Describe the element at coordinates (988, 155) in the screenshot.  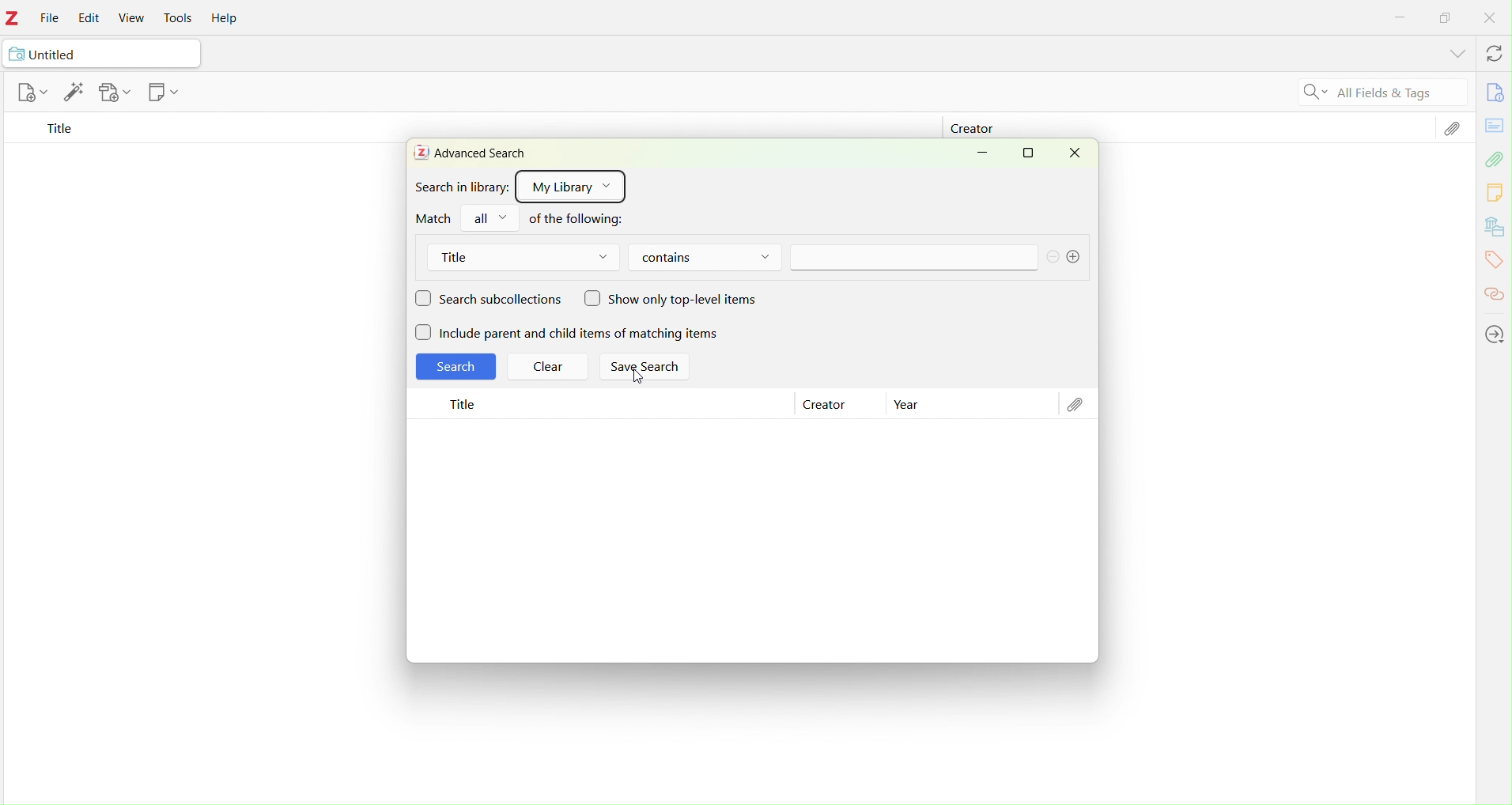
I see `Minimize` at that location.